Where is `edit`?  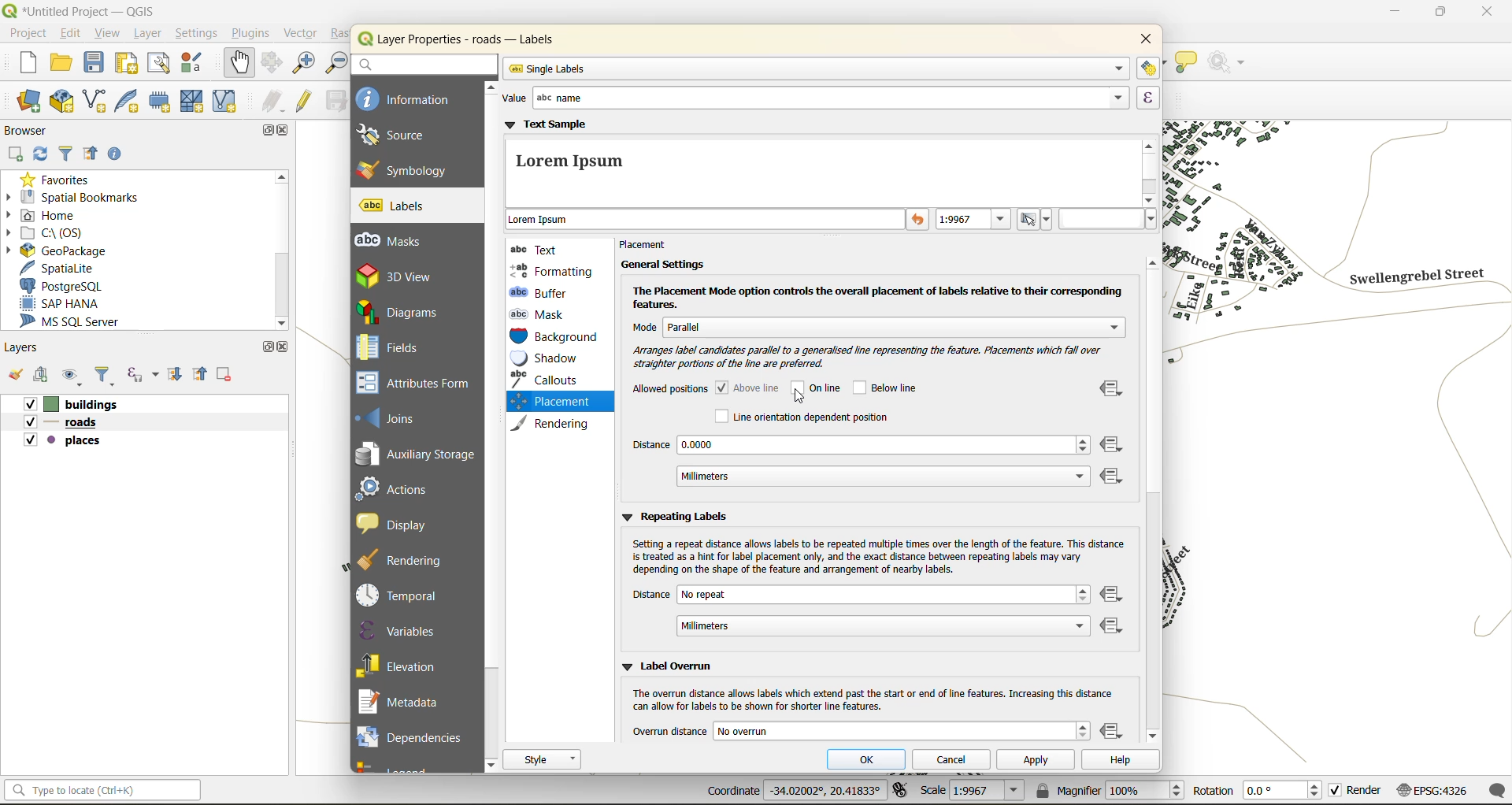 edit is located at coordinates (72, 35).